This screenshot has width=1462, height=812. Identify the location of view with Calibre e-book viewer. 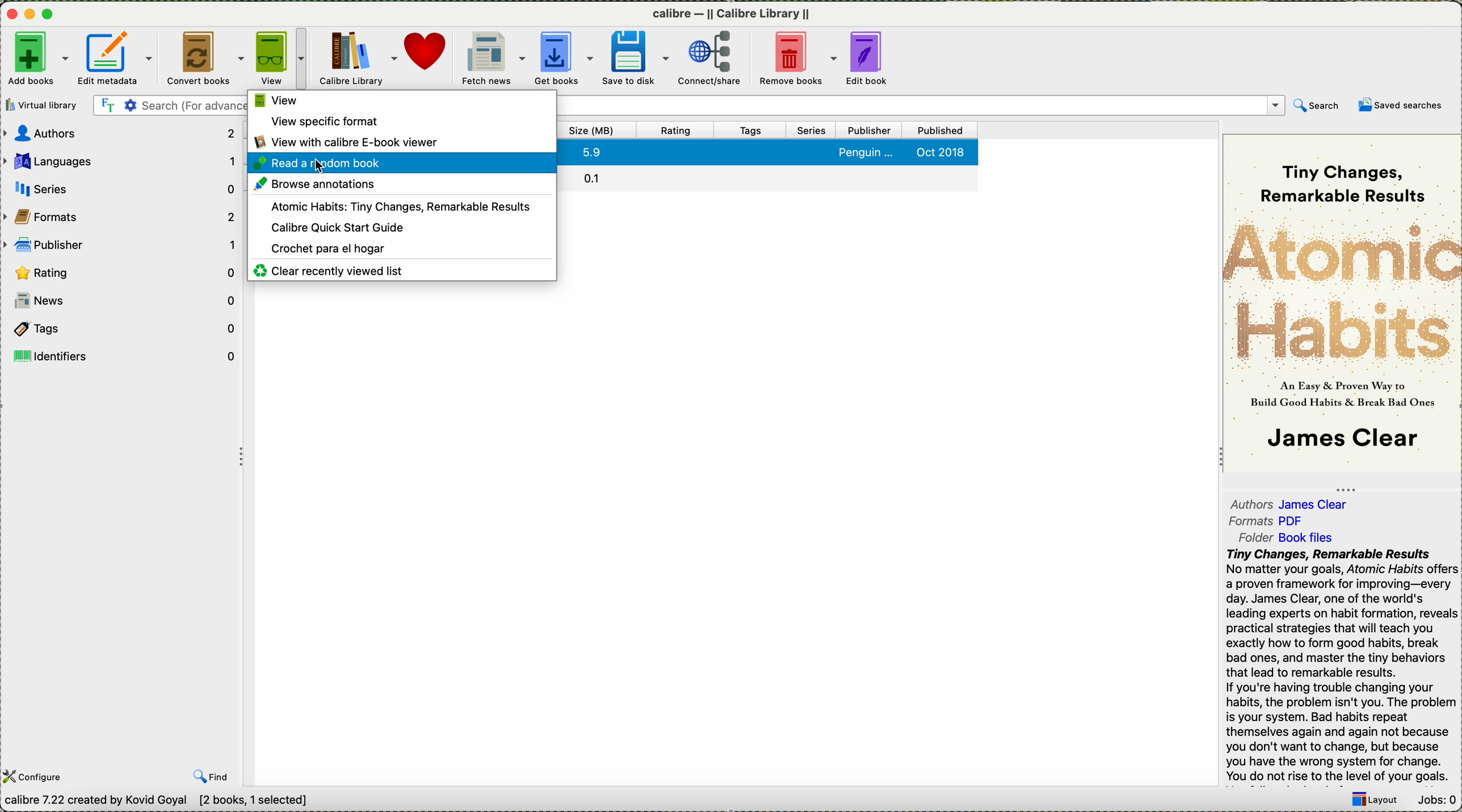
(349, 141).